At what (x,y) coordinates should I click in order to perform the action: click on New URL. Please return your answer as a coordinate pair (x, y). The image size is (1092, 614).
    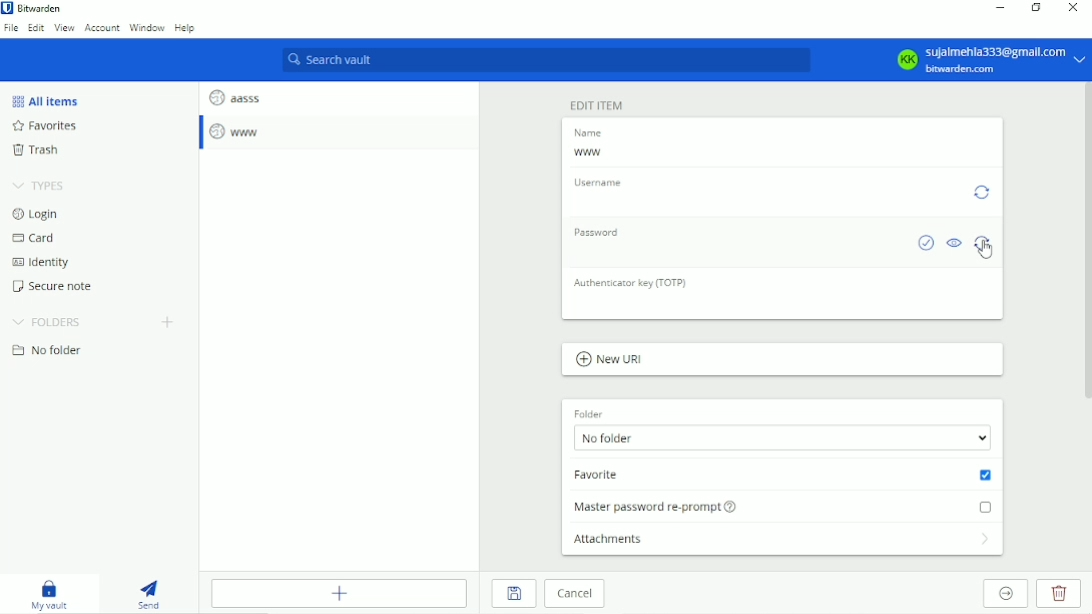
    Looking at the image, I should click on (610, 360).